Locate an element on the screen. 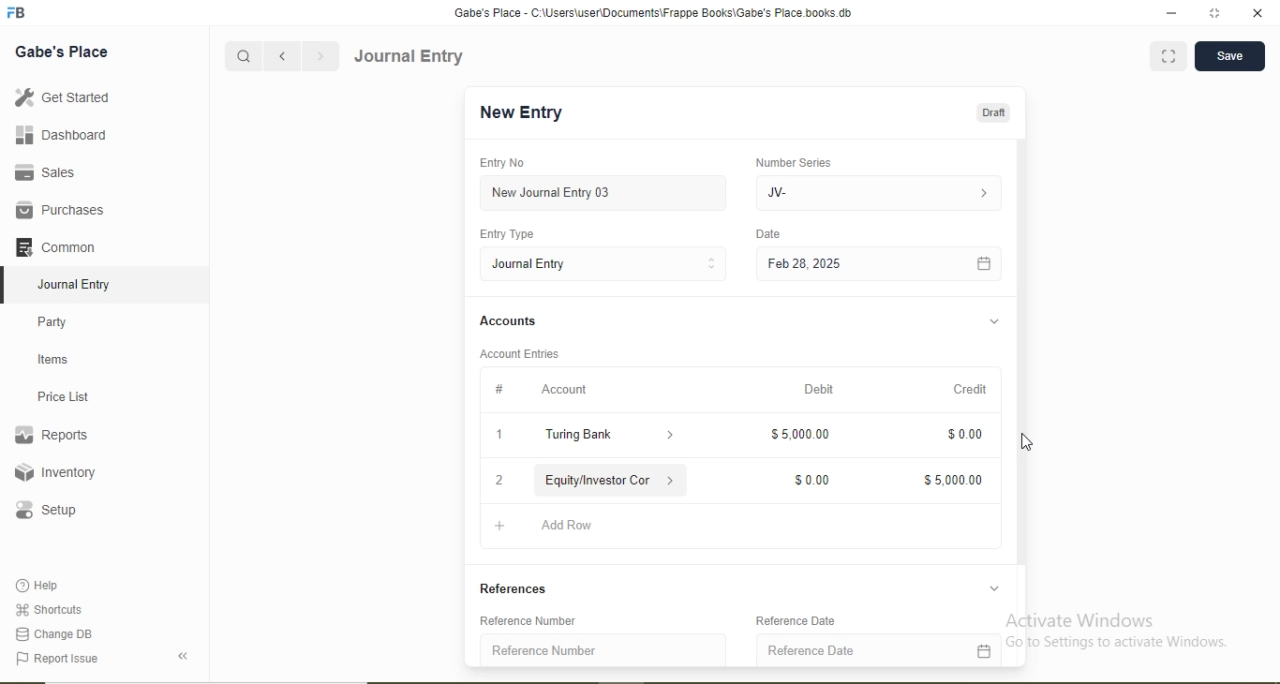 The image size is (1280, 684). Forward is located at coordinates (321, 56).